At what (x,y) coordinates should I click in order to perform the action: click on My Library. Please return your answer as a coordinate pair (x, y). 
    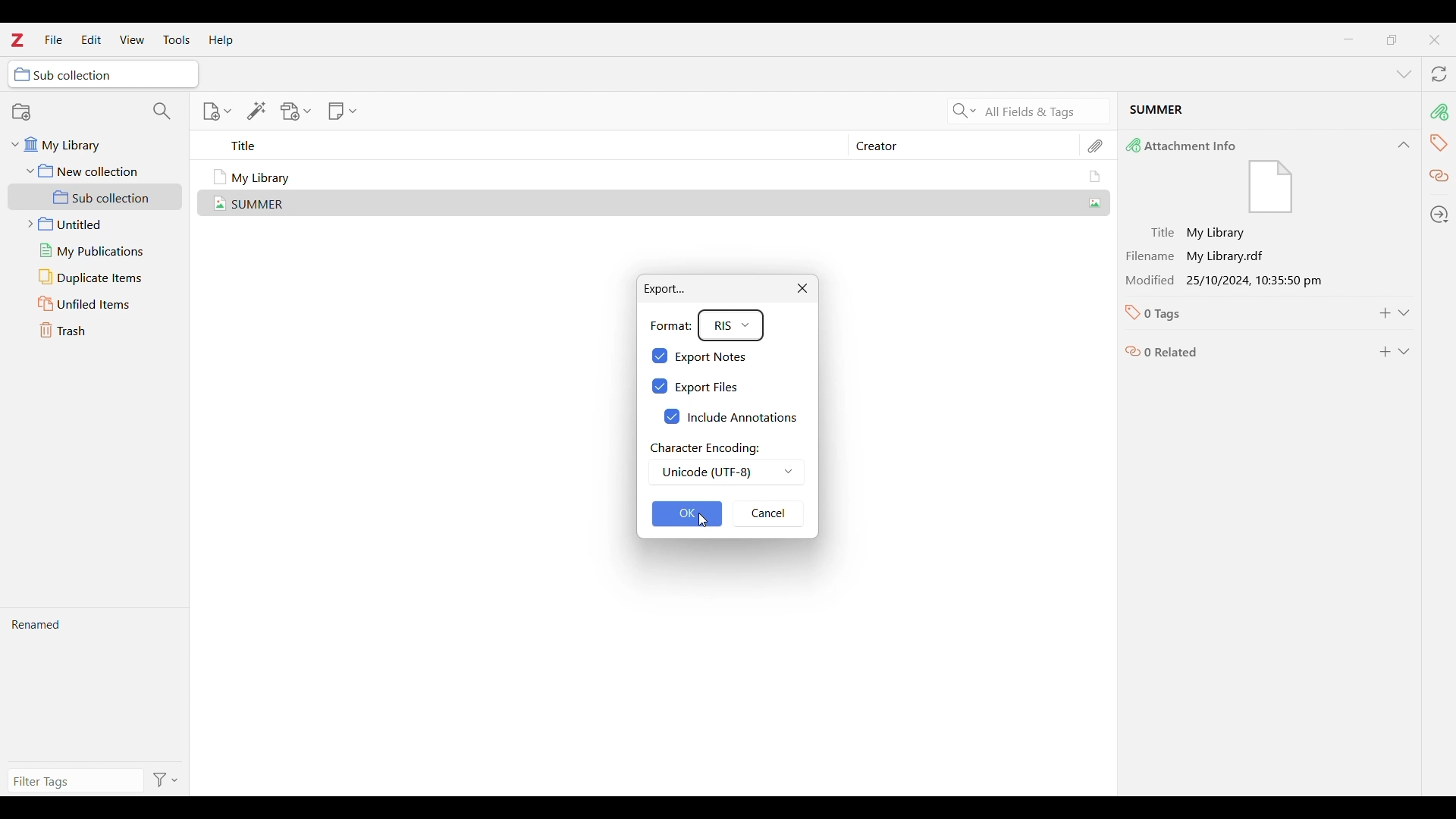
    Looking at the image, I should click on (659, 177).